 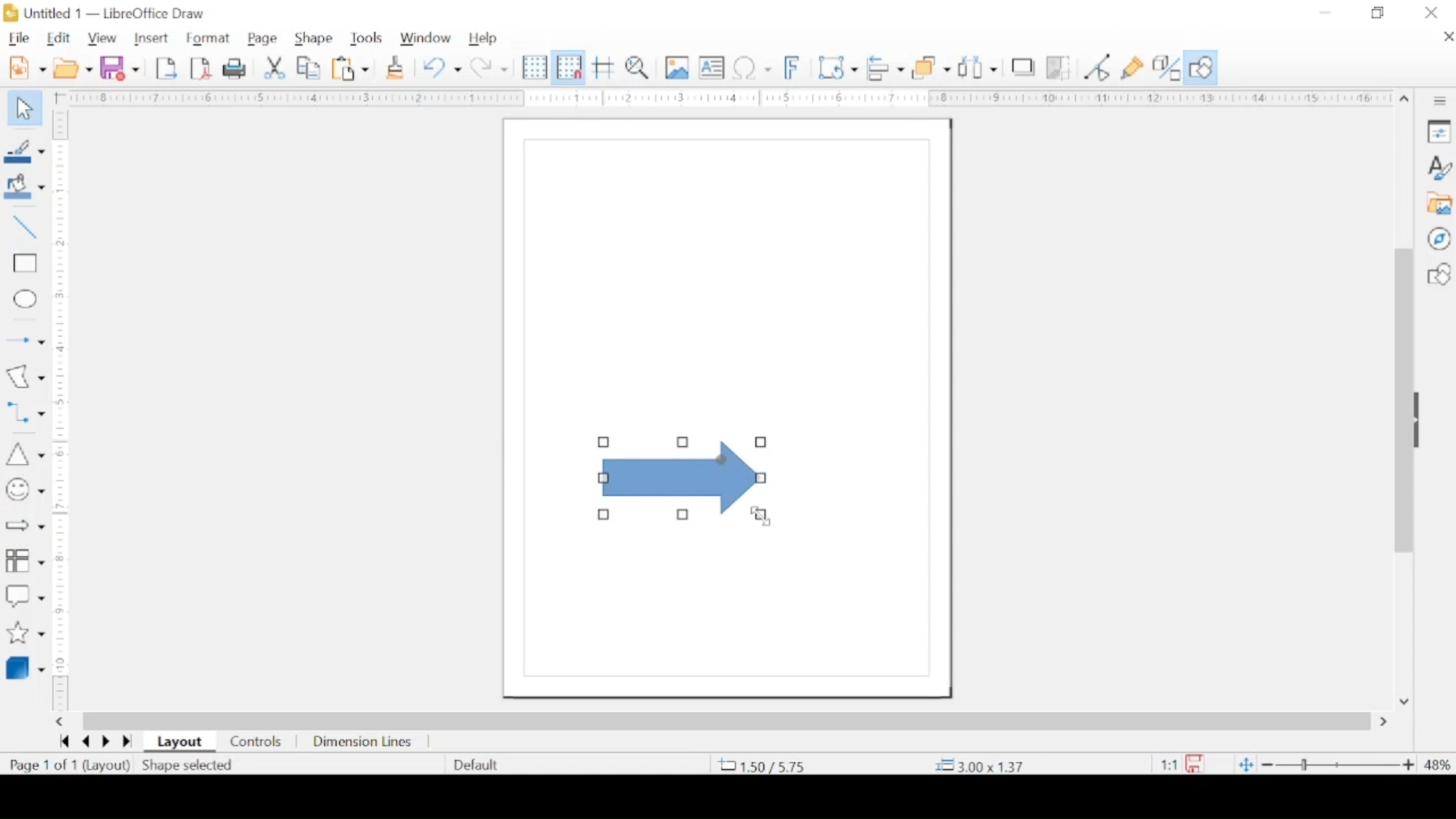 What do you see at coordinates (638, 67) in the screenshot?
I see `pan and zoom` at bounding box center [638, 67].